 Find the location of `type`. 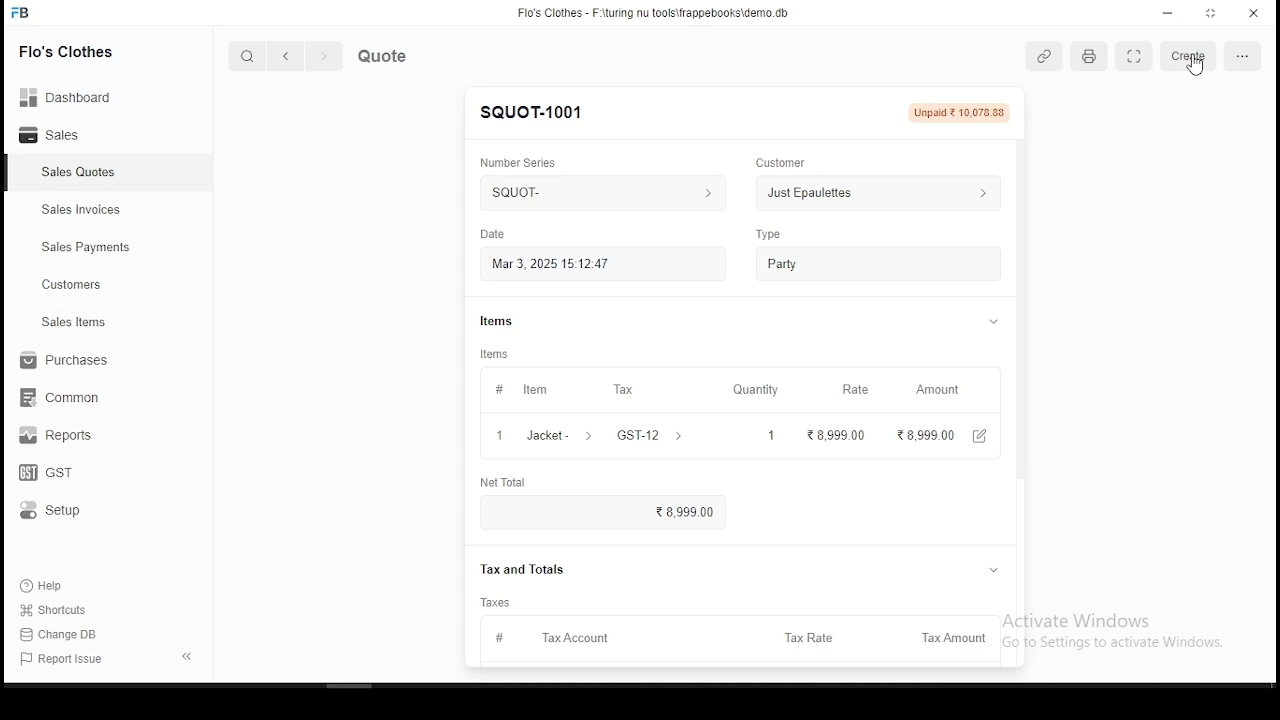

type is located at coordinates (769, 231).